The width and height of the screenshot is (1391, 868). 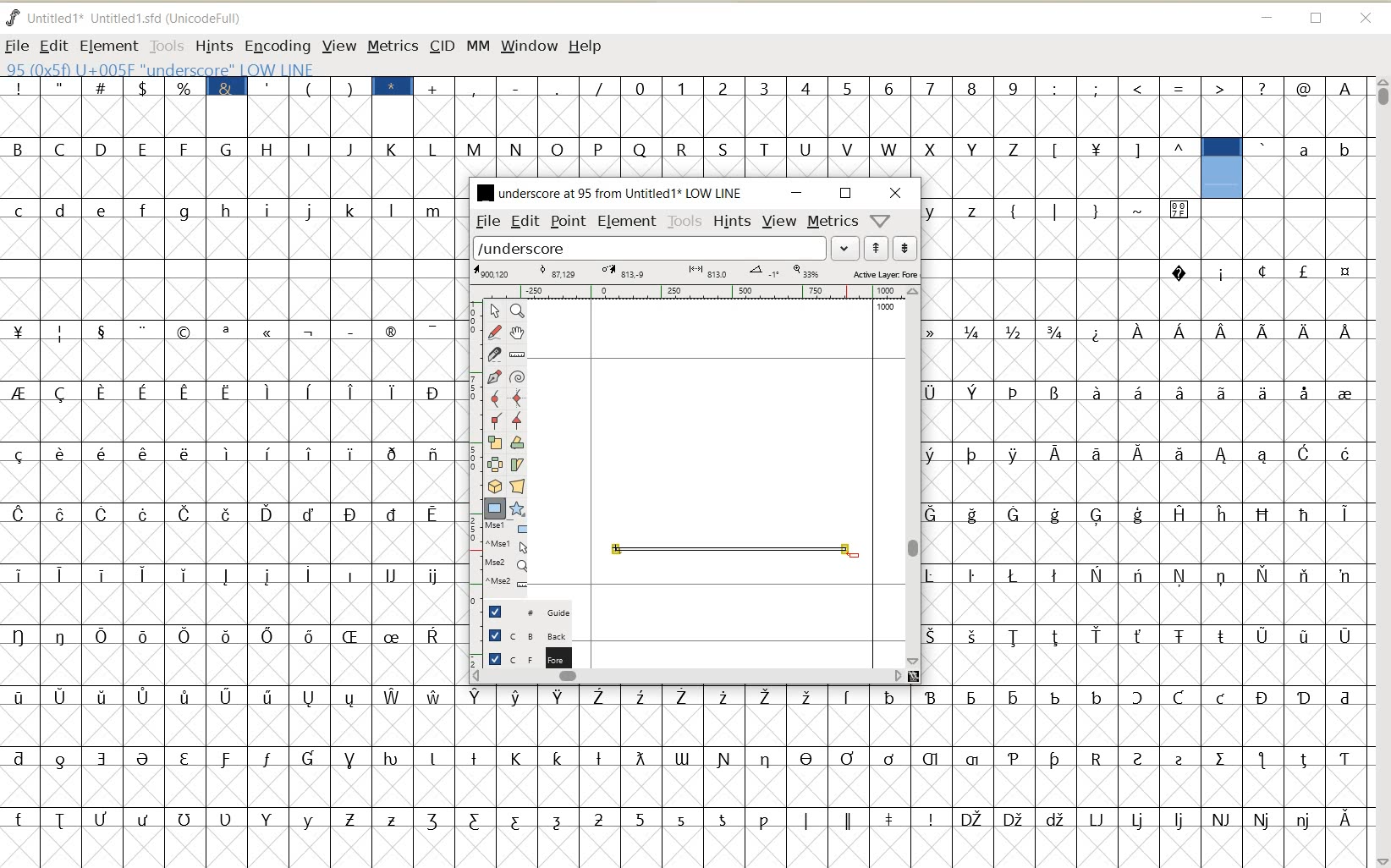 I want to click on ELLIPSE TOOL/CURSOR POSITION, so click(x=855, y=556).